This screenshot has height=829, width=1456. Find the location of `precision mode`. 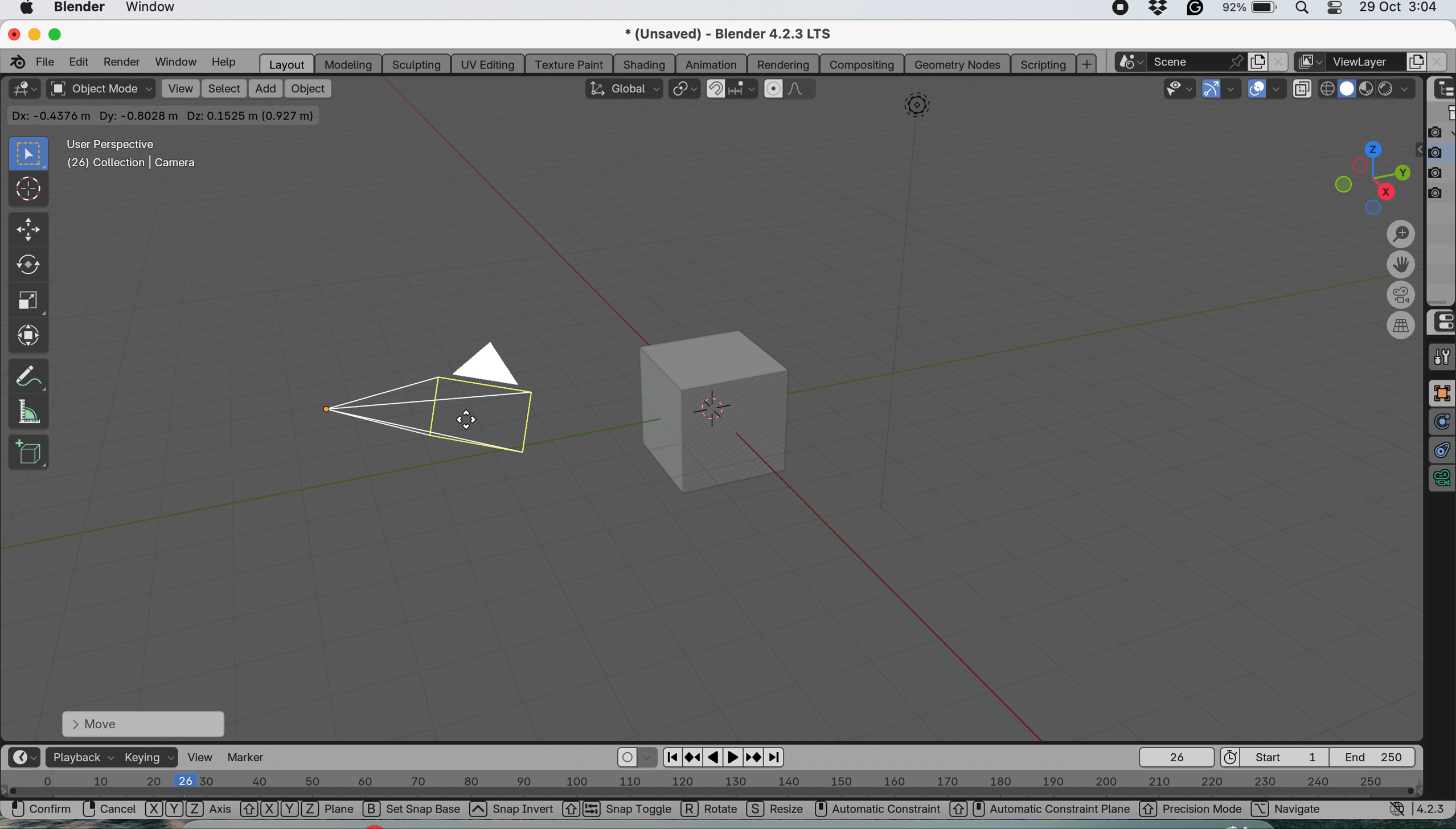

precision mode is located at coordinates (1191, 810).